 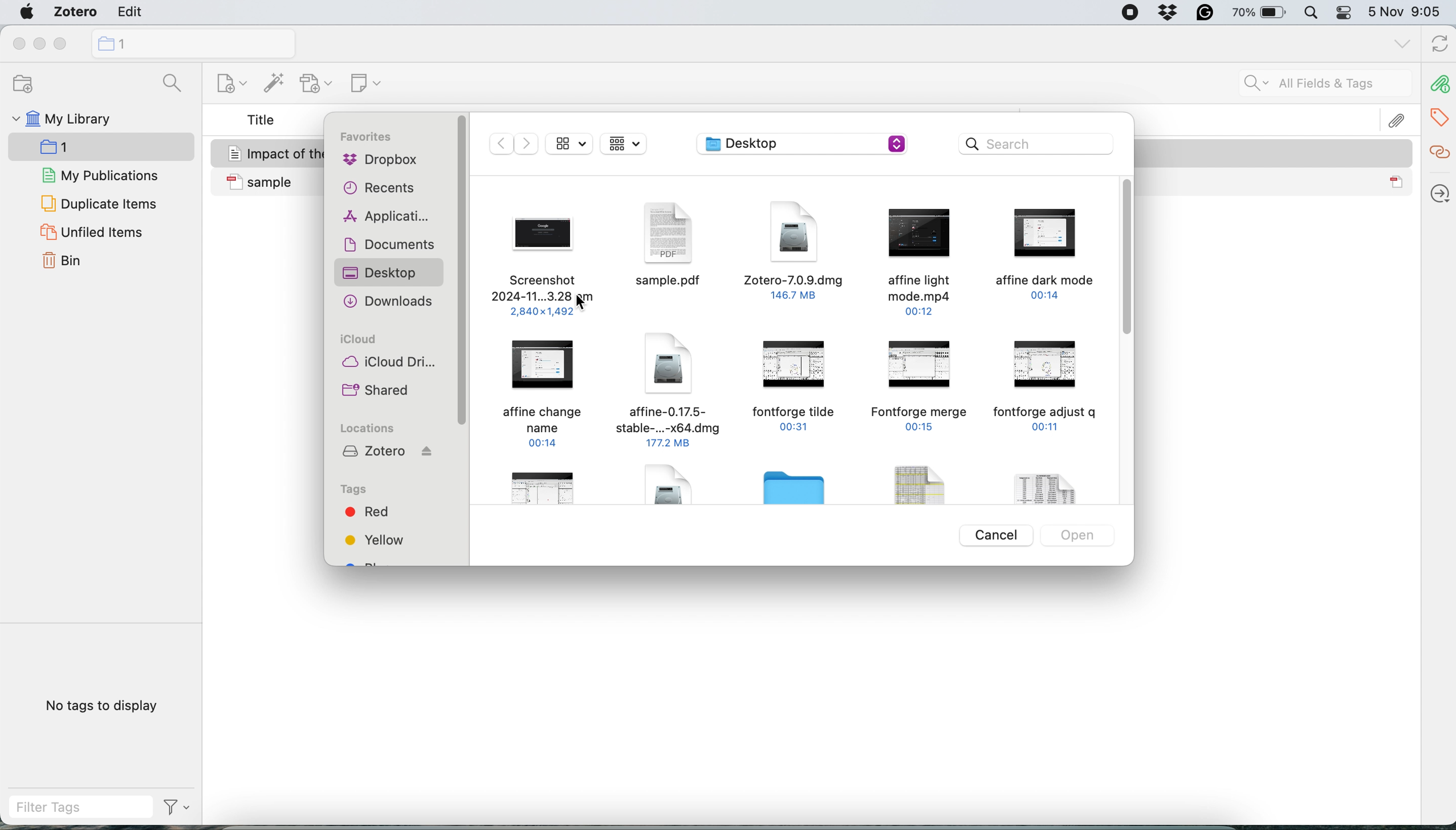 What do you see at coordinates (72, 149) in the screenshot?
I see `1` at bounding box center [72, 149].